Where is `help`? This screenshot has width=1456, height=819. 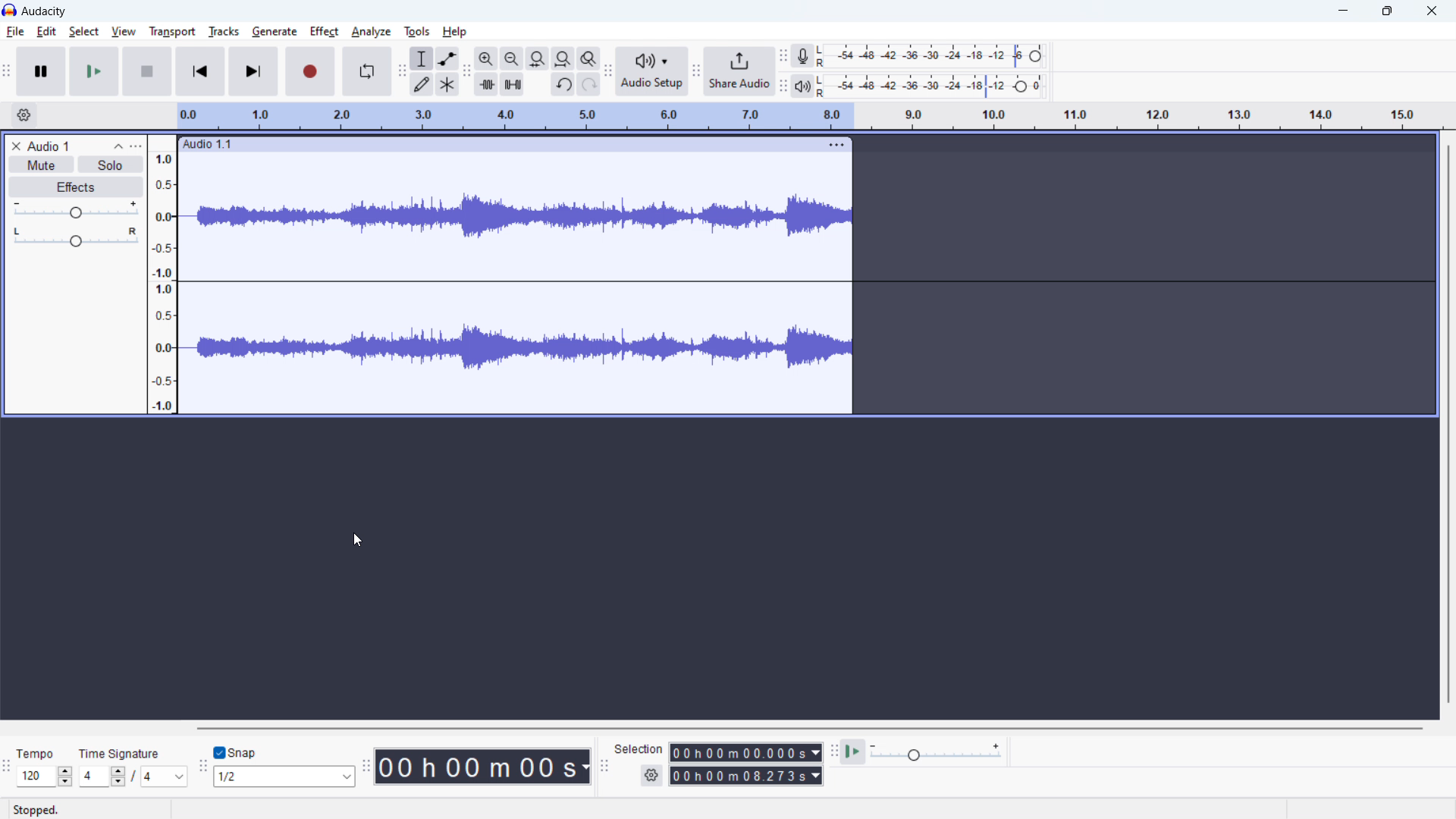
help is located at coordinates (456, 32).